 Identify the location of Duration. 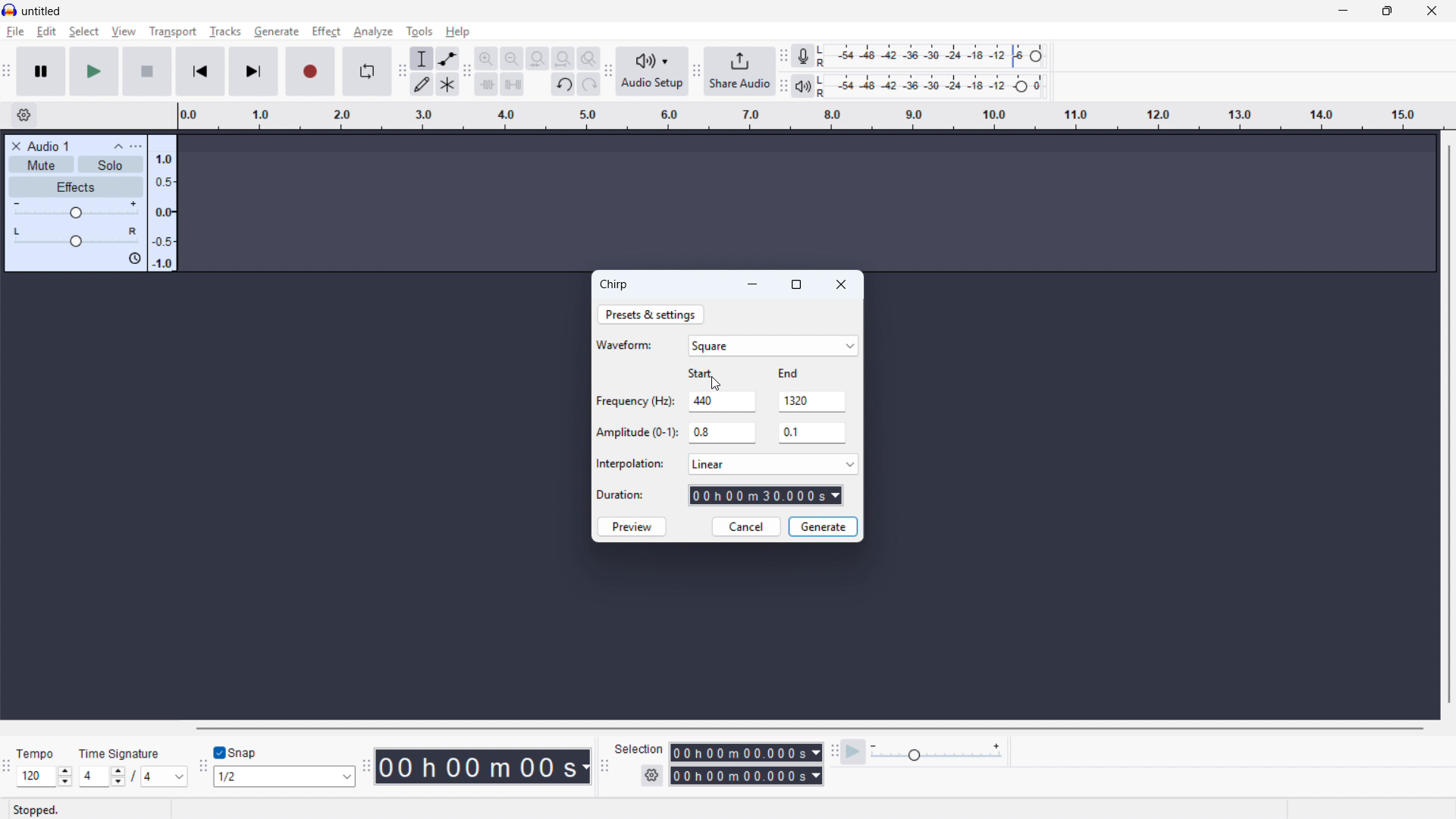
(621, 494).